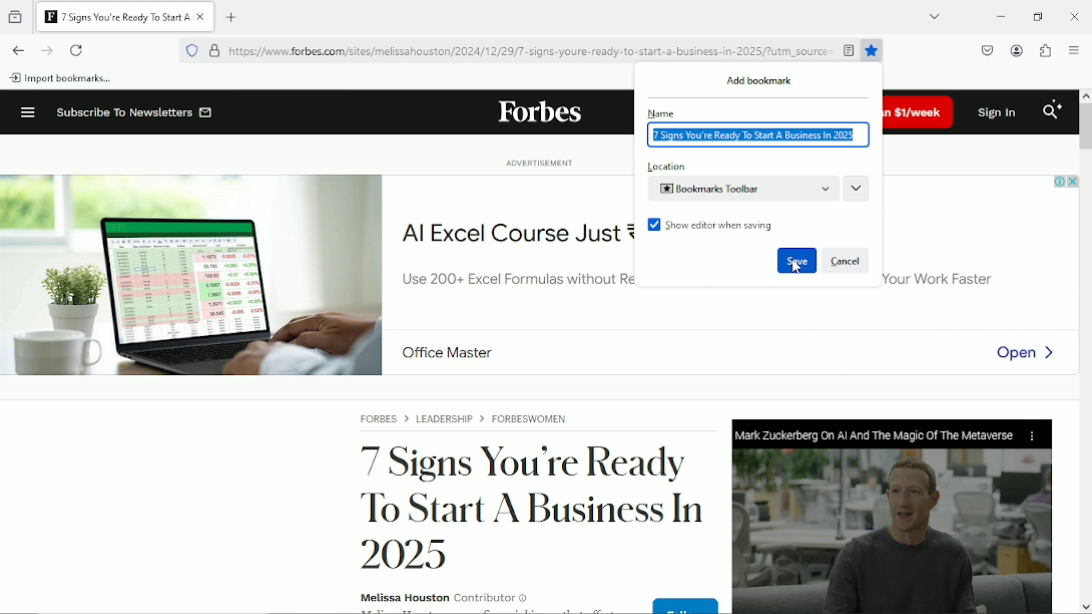 The height and width of the screenshot is (614, 1092). I want to click on view recent browsing, so click(15, 16).